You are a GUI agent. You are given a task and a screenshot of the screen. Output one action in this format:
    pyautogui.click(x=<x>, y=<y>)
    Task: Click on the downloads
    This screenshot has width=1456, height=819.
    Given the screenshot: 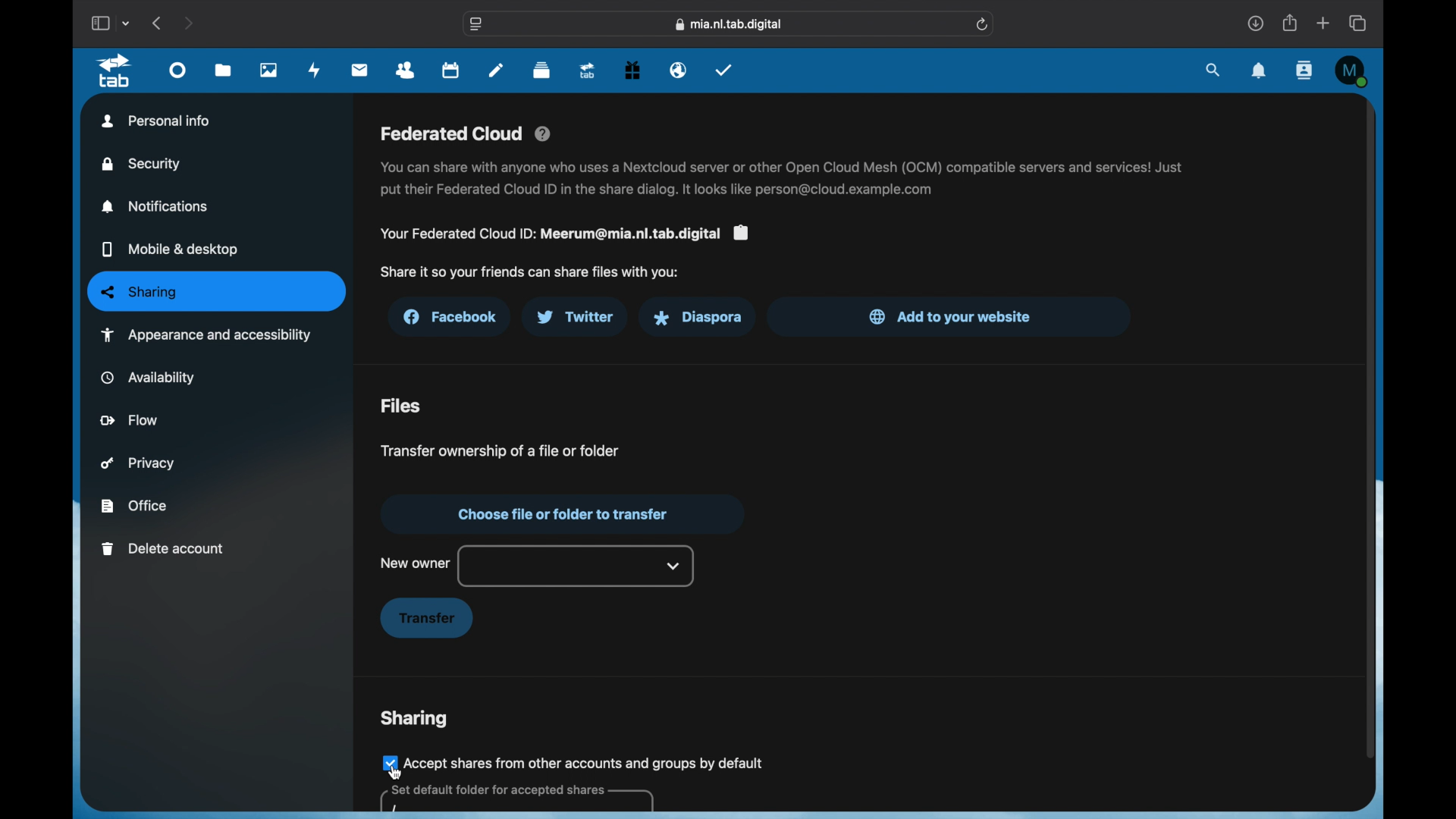 What is the action you would take?
    pyautogui.click(x=1254, y=23)
    